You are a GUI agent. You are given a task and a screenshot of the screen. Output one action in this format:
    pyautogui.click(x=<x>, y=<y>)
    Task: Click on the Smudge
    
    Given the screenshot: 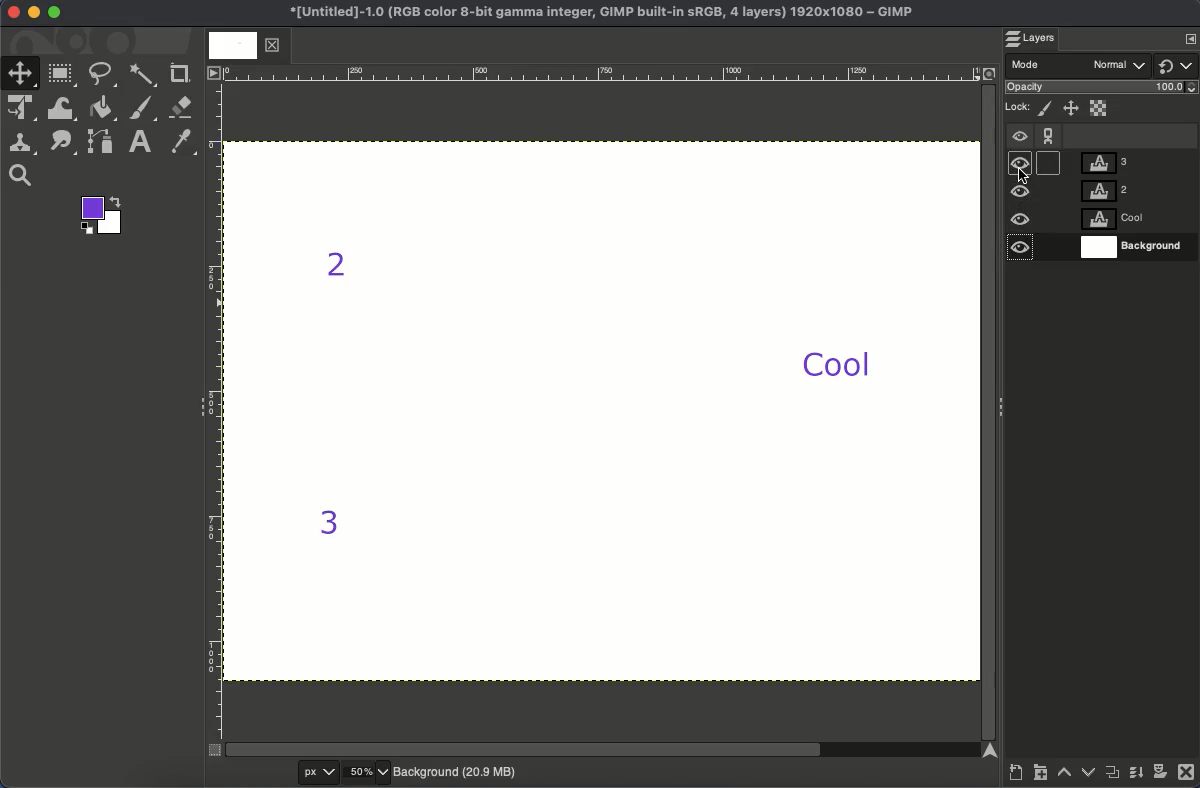 What is the action you would take?
    pyautogui.click(x=61, y=143)
    